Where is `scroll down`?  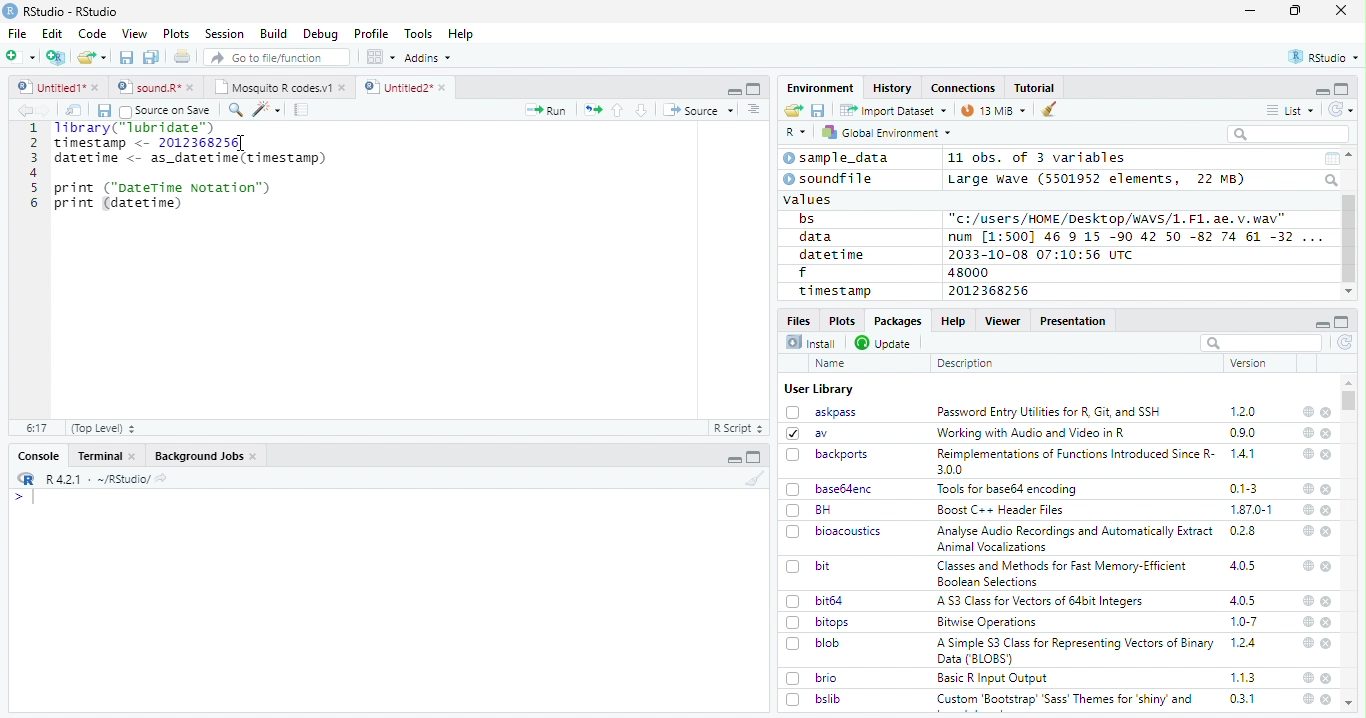 scroll down is located at coordinates (1348, 292).